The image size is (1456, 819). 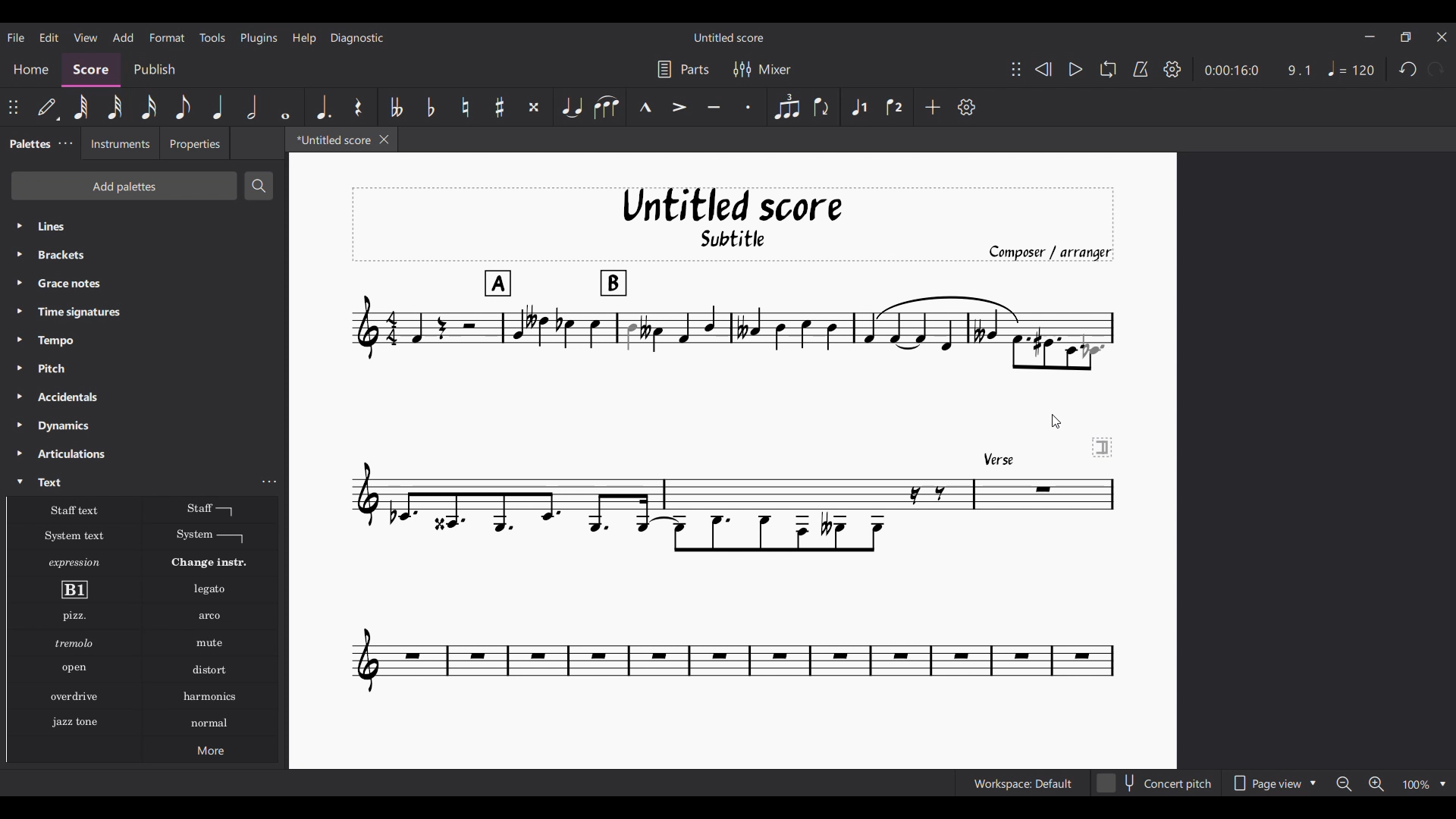 What do you see at coordinates (1141, 69) in the screenshot?
I see `Metronome` at bounding box center [1141, 69].